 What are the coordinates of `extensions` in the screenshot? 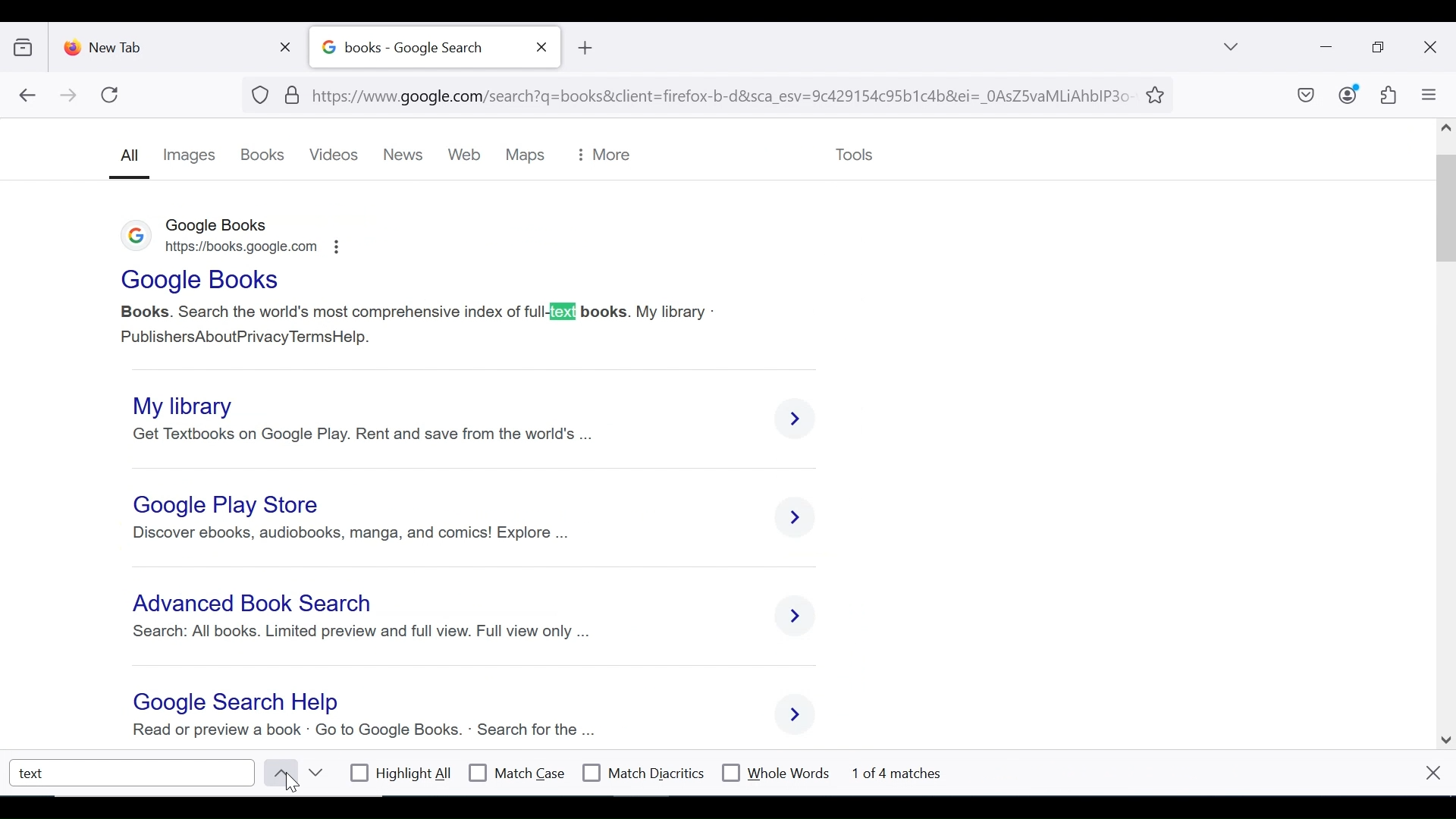 It's located at (1387, 96).